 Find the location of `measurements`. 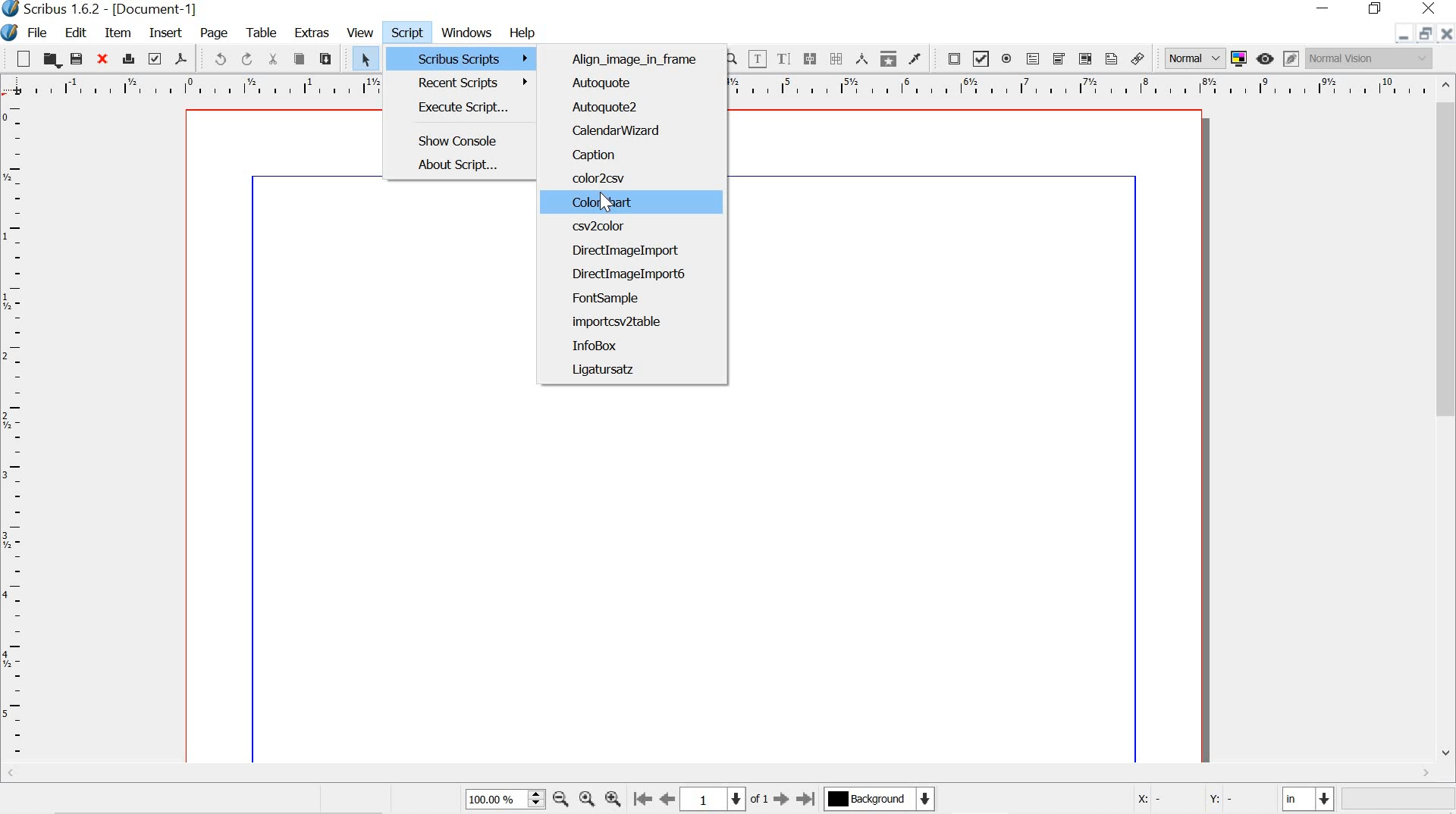

measurements is located at coordinates (863, 59).